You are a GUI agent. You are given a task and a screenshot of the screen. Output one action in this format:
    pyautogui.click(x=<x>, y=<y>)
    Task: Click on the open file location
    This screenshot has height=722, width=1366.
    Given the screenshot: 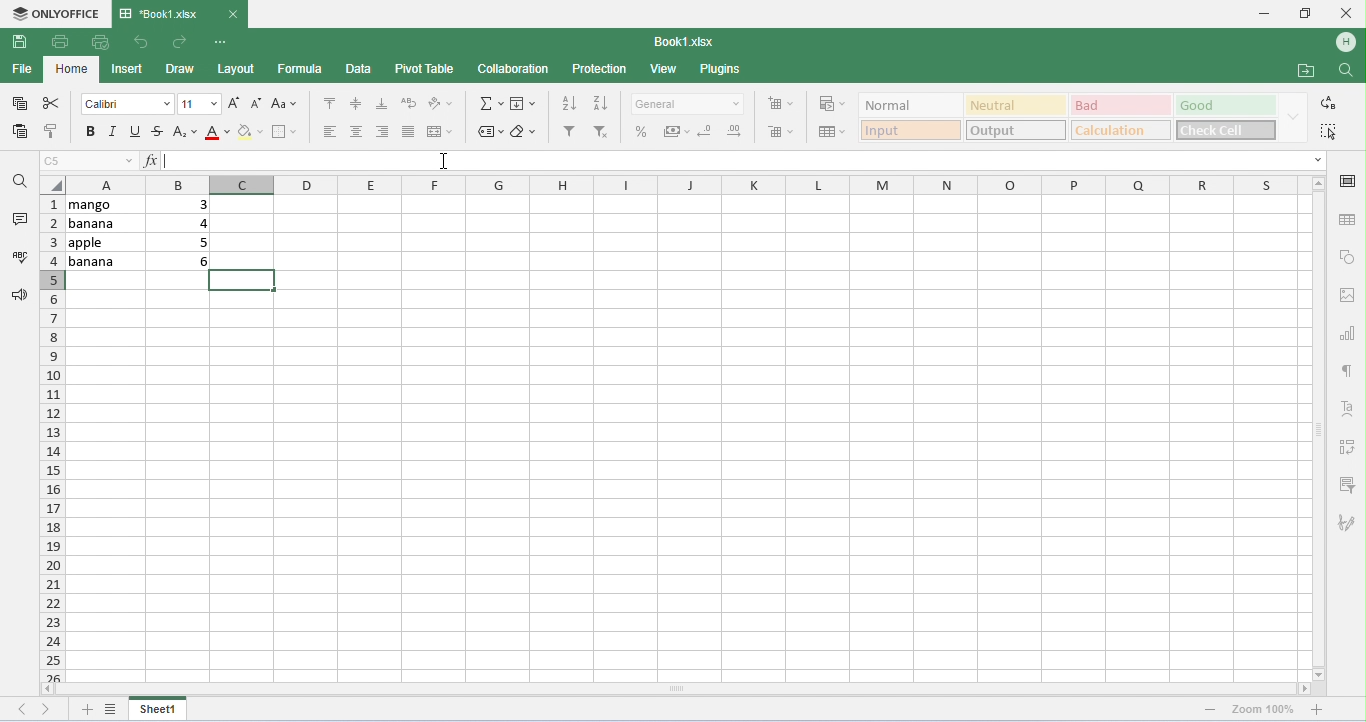 What is the action you would take?
    pyautogui.click(x=1307, y=71)
    